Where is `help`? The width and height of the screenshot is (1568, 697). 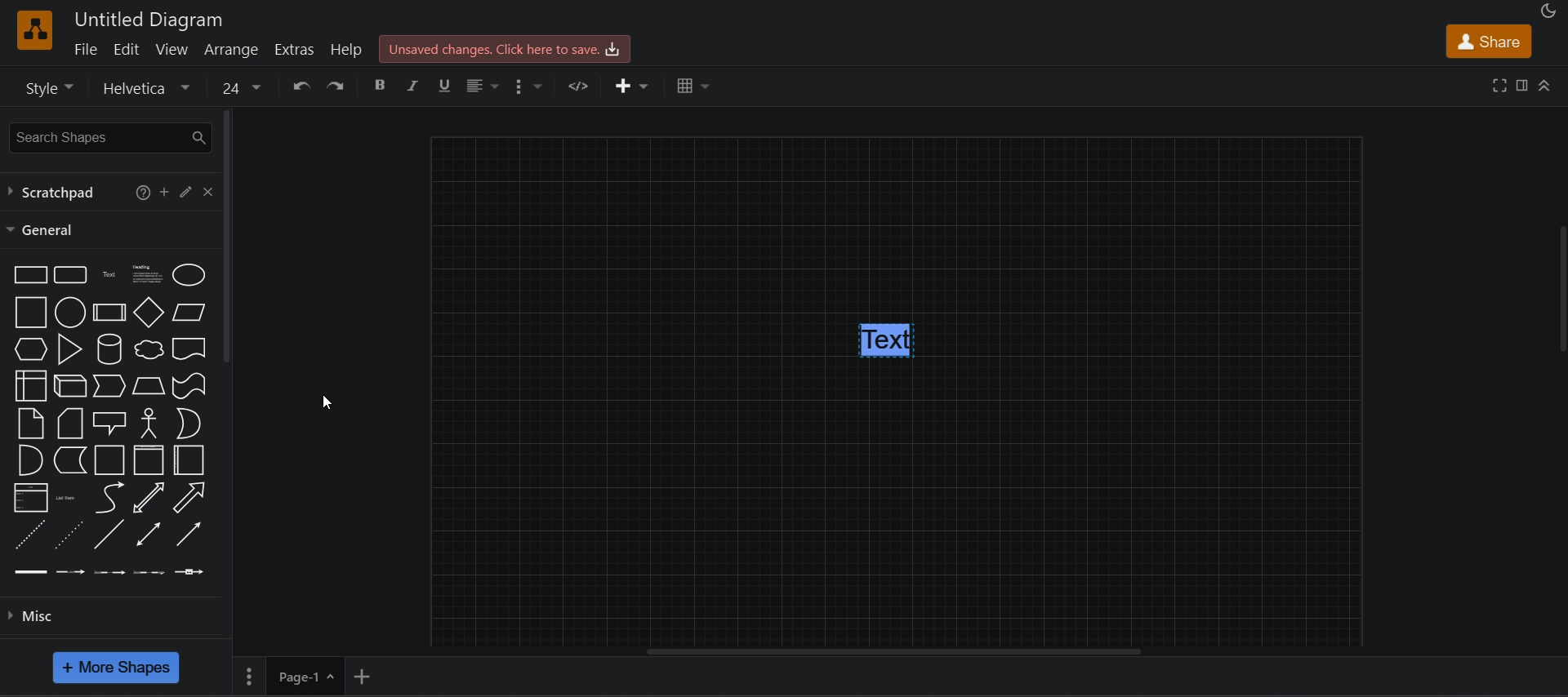 help is located at coordinates (142, 193).